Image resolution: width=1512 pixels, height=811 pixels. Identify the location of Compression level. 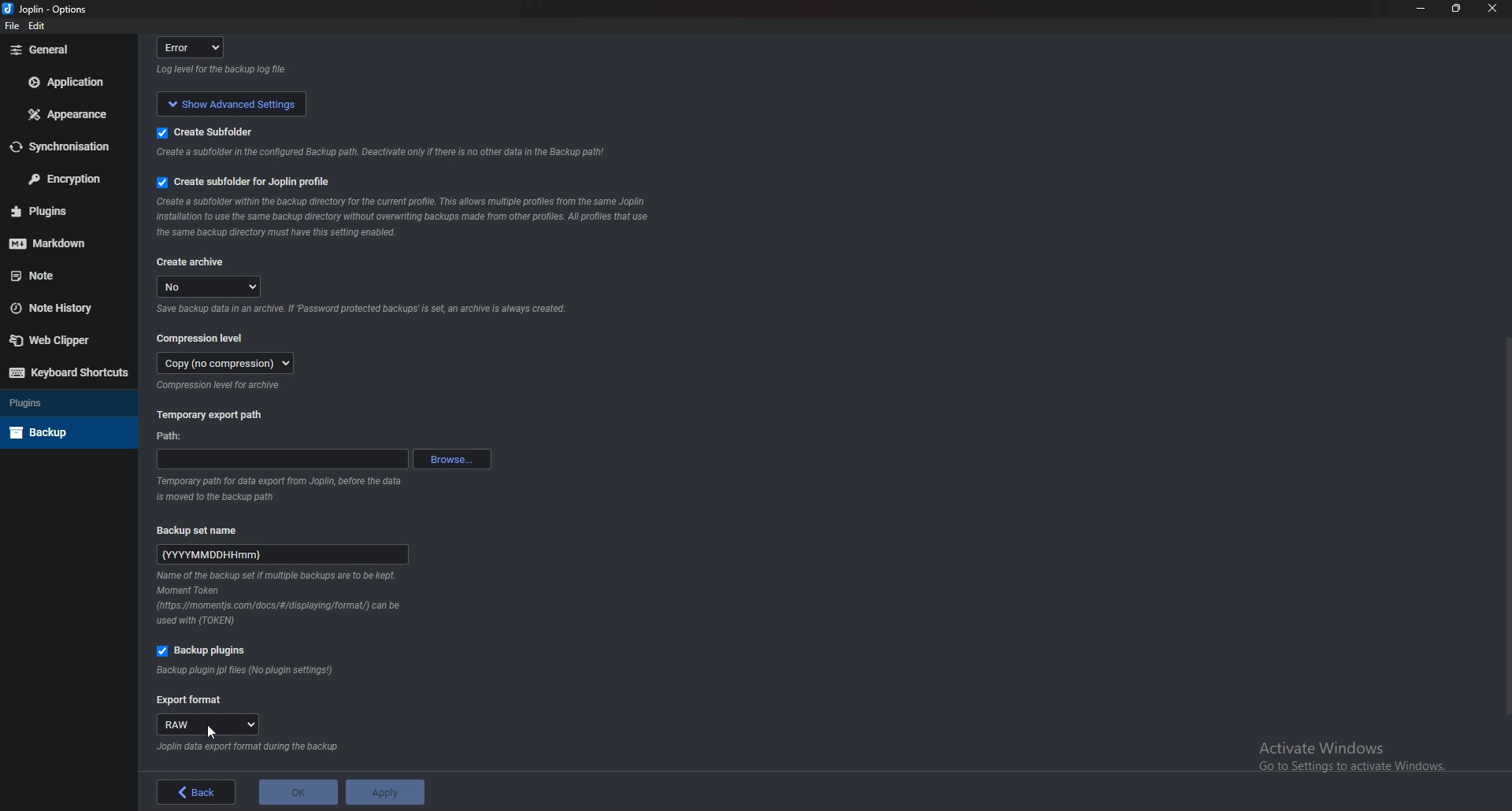
(203, 337).